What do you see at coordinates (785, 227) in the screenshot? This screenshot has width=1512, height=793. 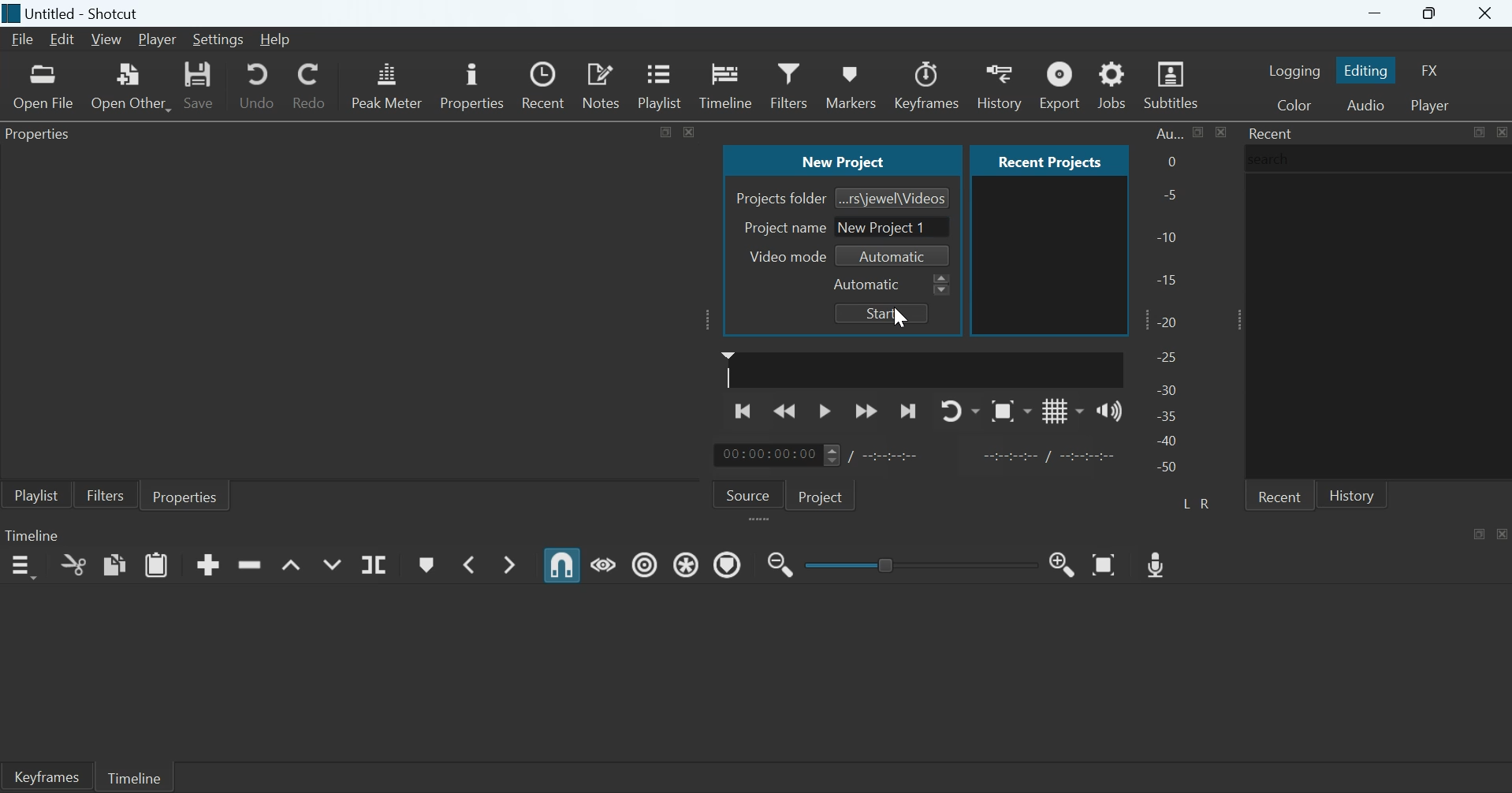 I see `Project name` at bounding box center [785, 227].